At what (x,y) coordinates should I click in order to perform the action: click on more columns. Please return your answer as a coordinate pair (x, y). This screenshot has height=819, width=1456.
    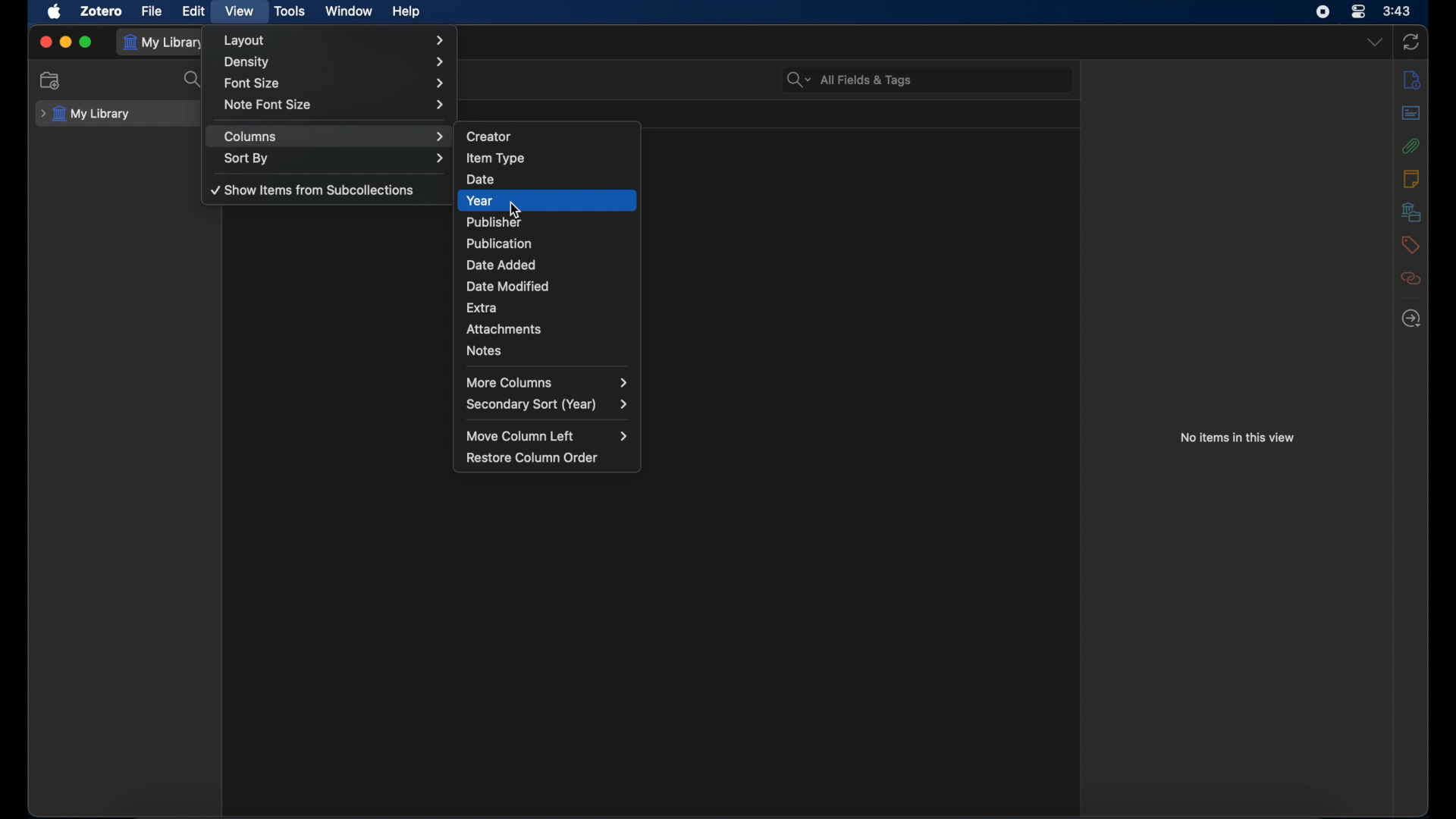
    Looking at the image, I should click on (548, 382).